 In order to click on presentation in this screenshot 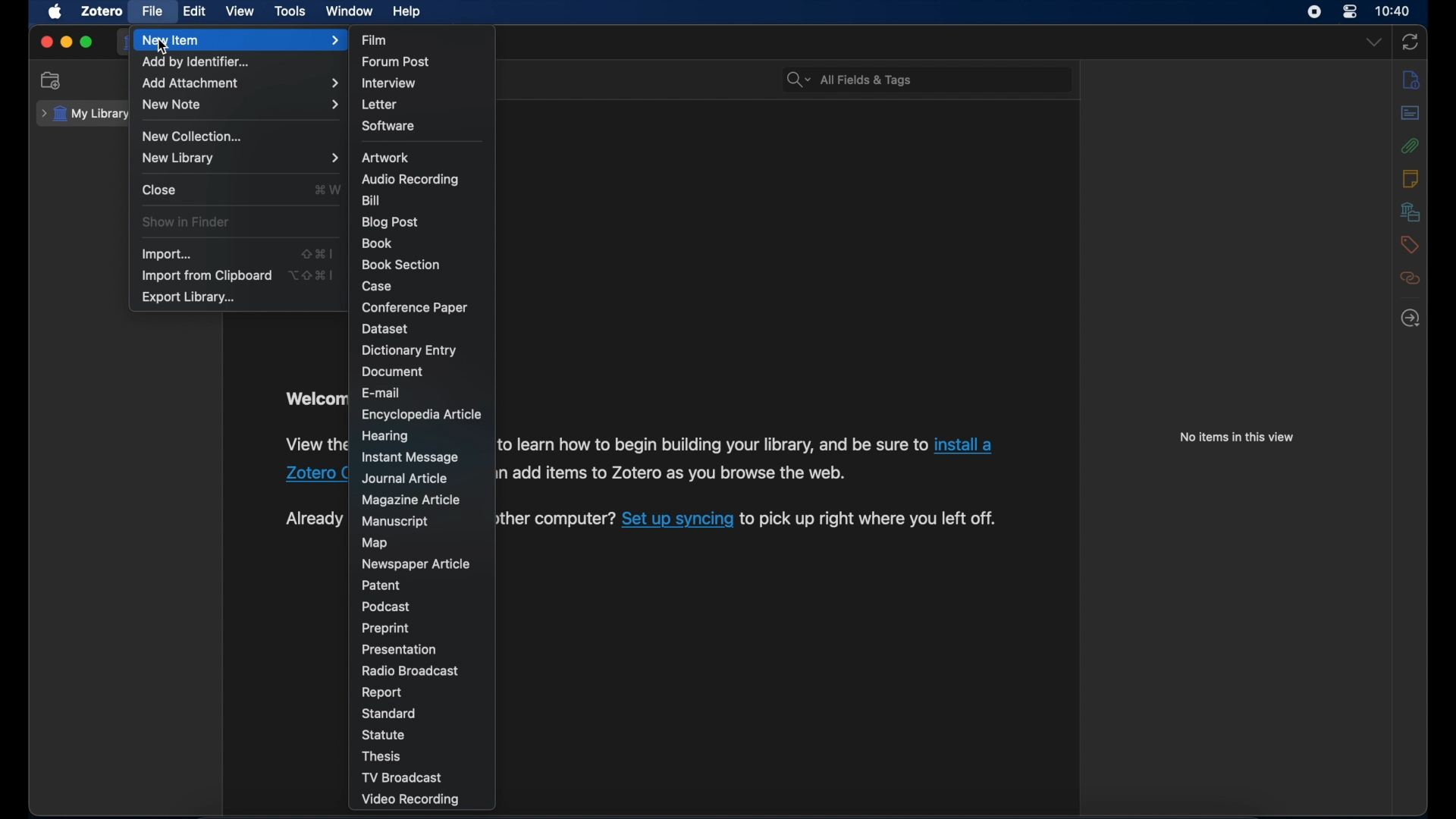, I will do `click(401, 649)`.